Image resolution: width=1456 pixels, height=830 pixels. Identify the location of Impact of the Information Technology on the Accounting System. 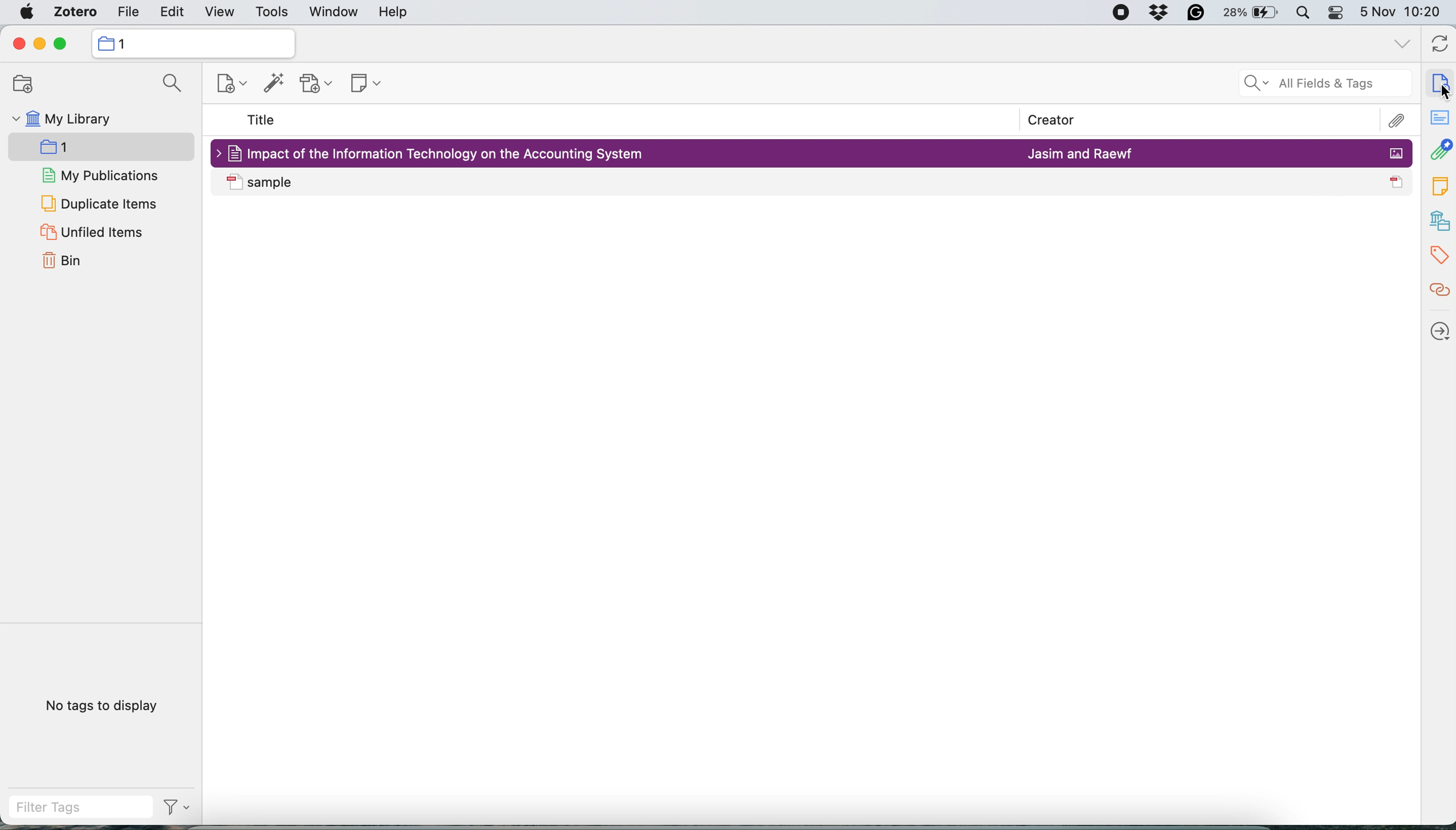
(448, 154).